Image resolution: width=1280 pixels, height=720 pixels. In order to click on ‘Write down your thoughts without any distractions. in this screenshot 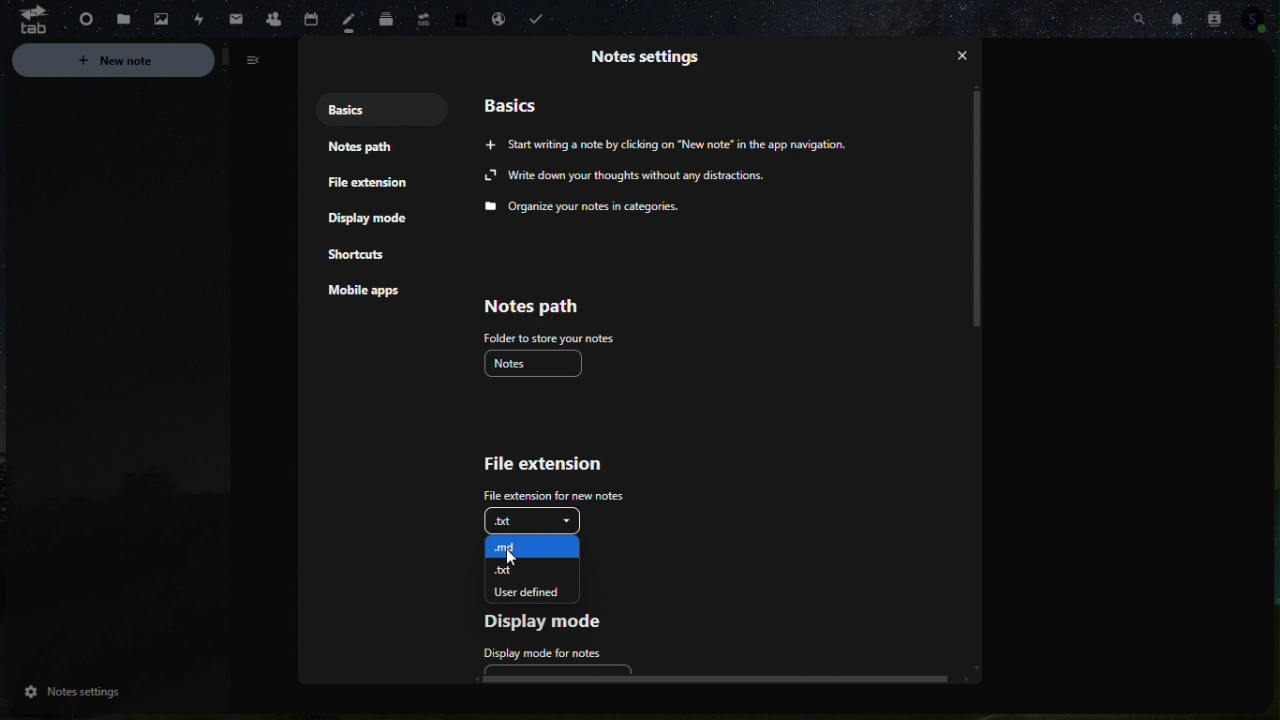, I will do `click(627, 177)`.